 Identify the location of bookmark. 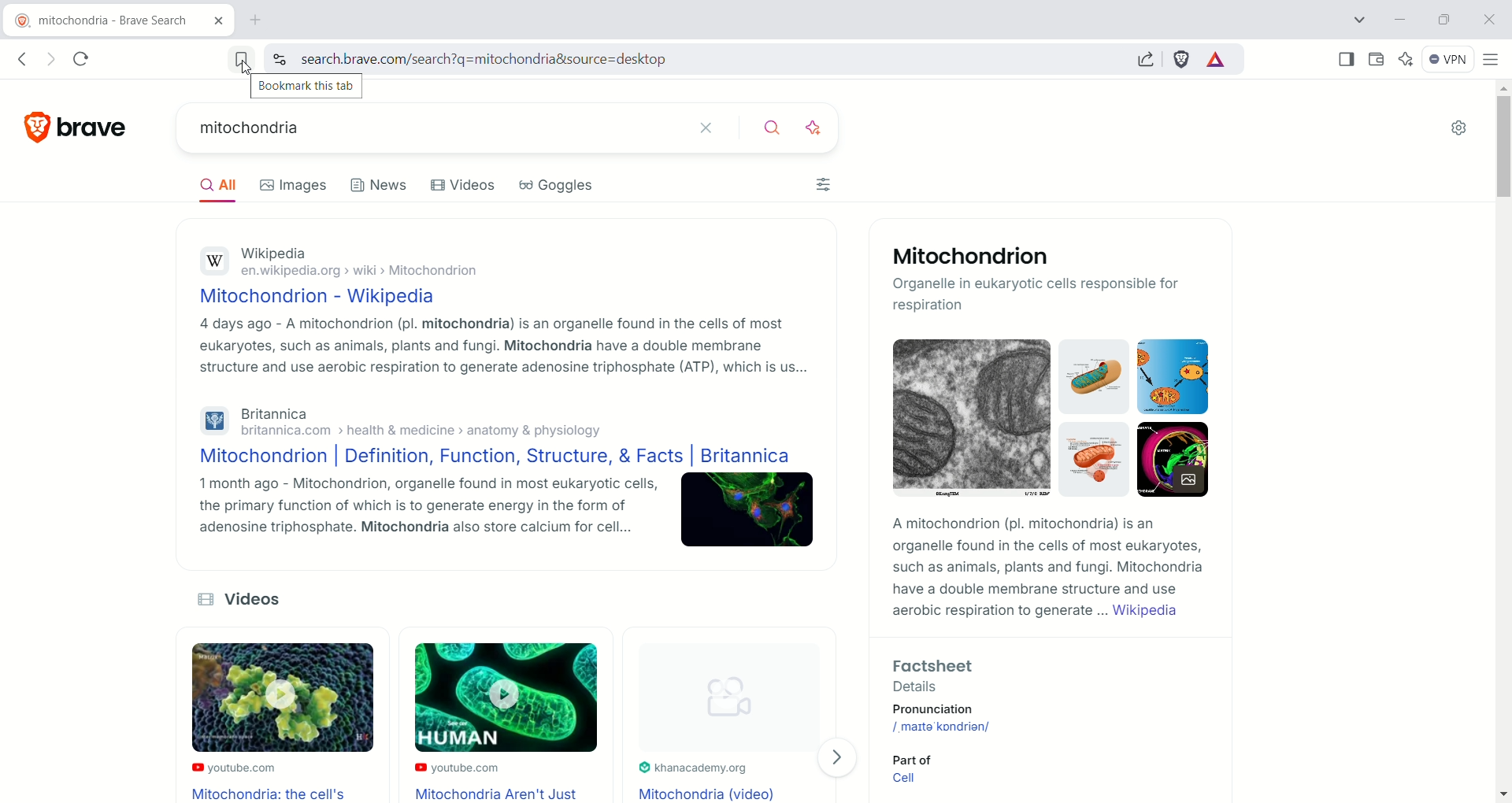
(243, 60).